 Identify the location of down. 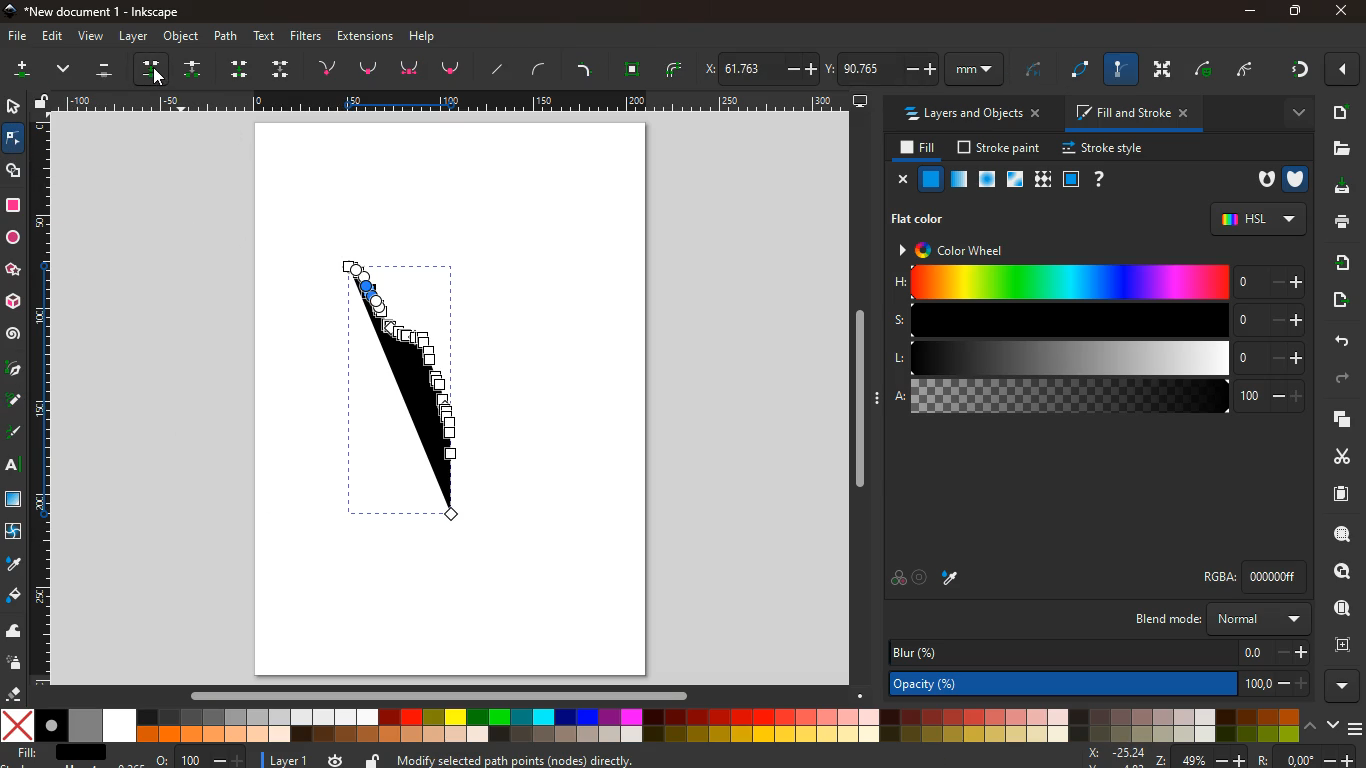
(282, 68).